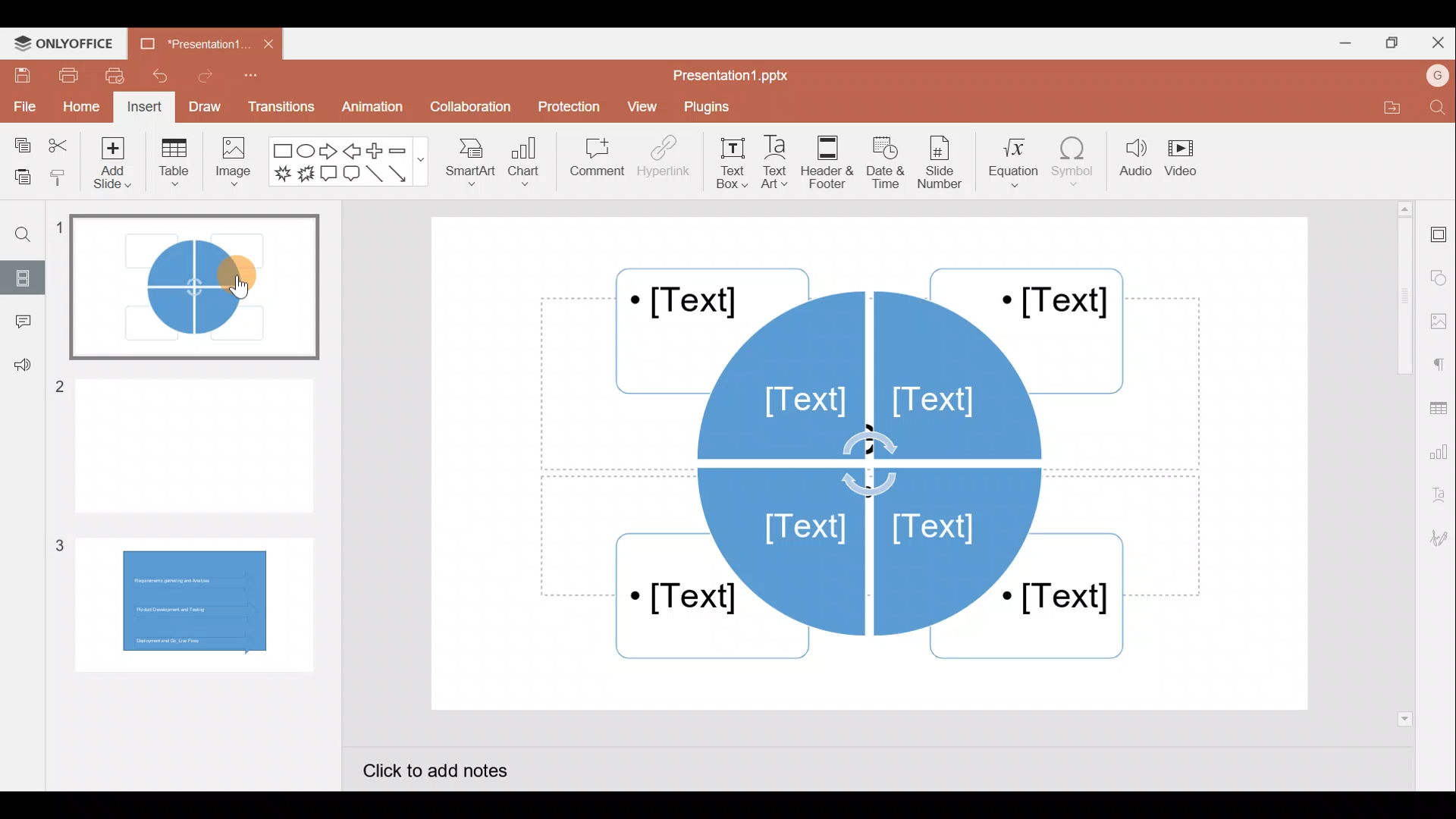 The height and width of the screenshot is (819, 1456). I want to click on Audio, so click(1132, 163).